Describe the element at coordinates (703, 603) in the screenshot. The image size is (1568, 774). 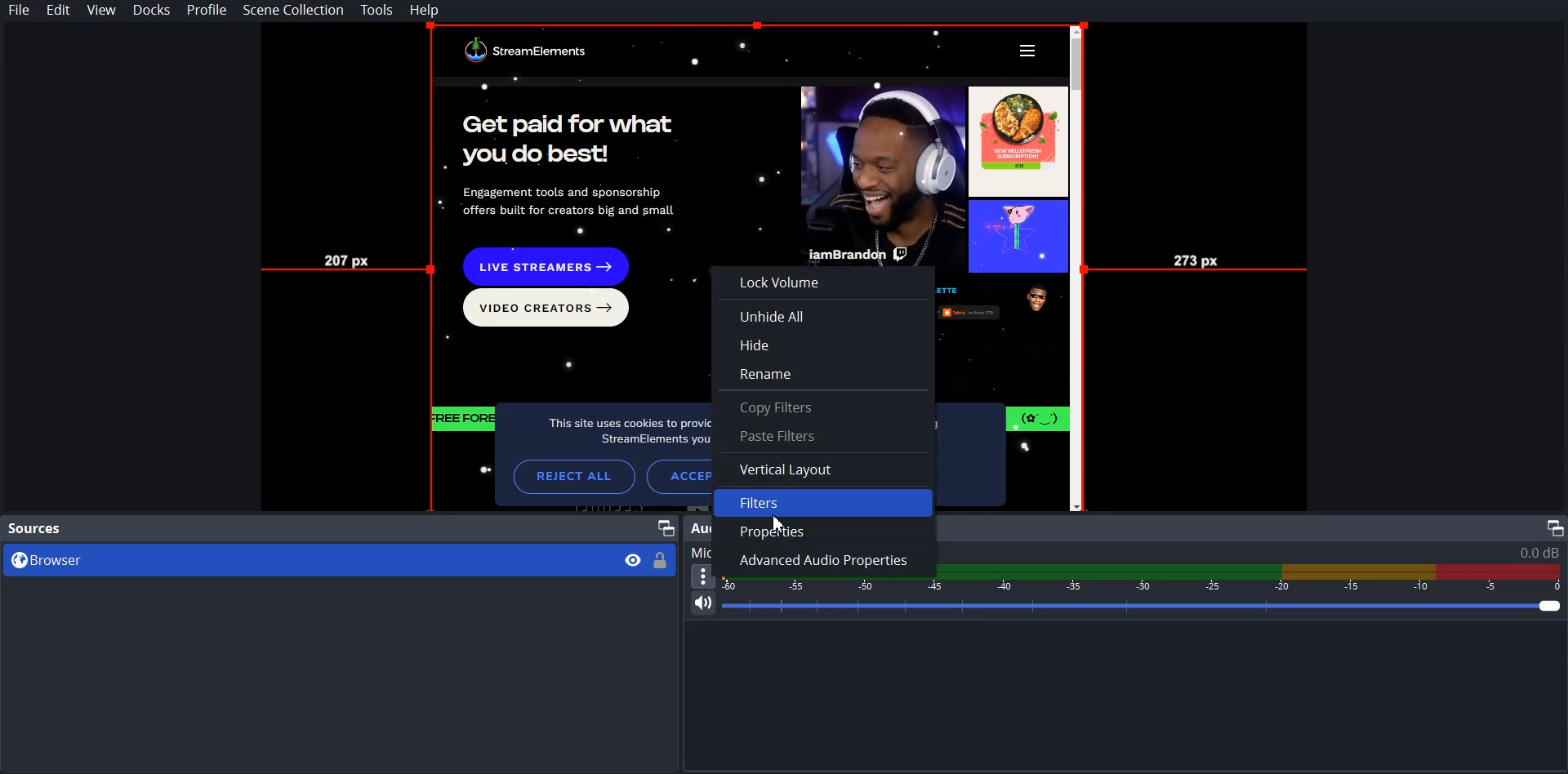
I see `Mute` at that location.